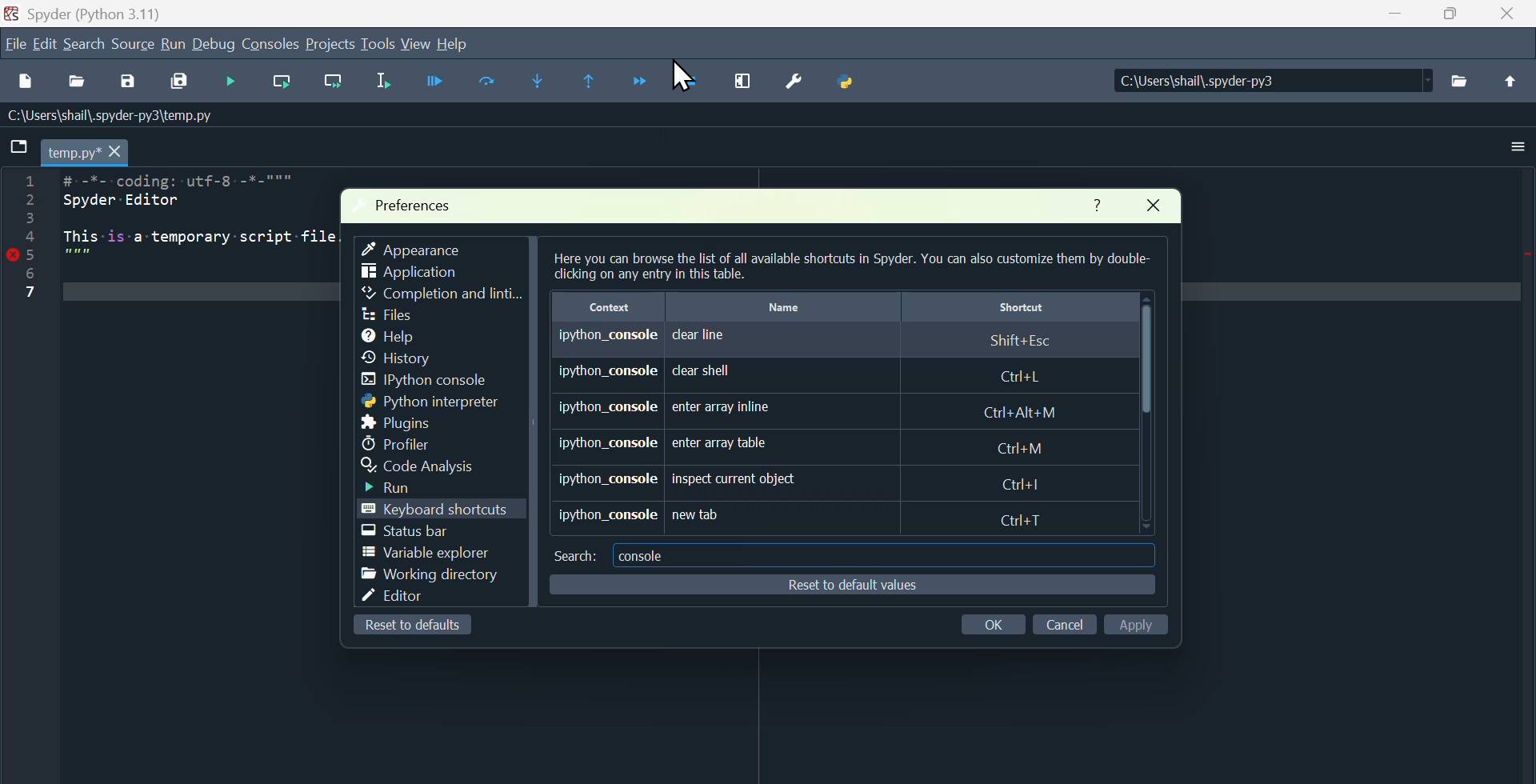 The width and height of the screenshot is (1536, 784). I want to click on Files, so click(386, 315).